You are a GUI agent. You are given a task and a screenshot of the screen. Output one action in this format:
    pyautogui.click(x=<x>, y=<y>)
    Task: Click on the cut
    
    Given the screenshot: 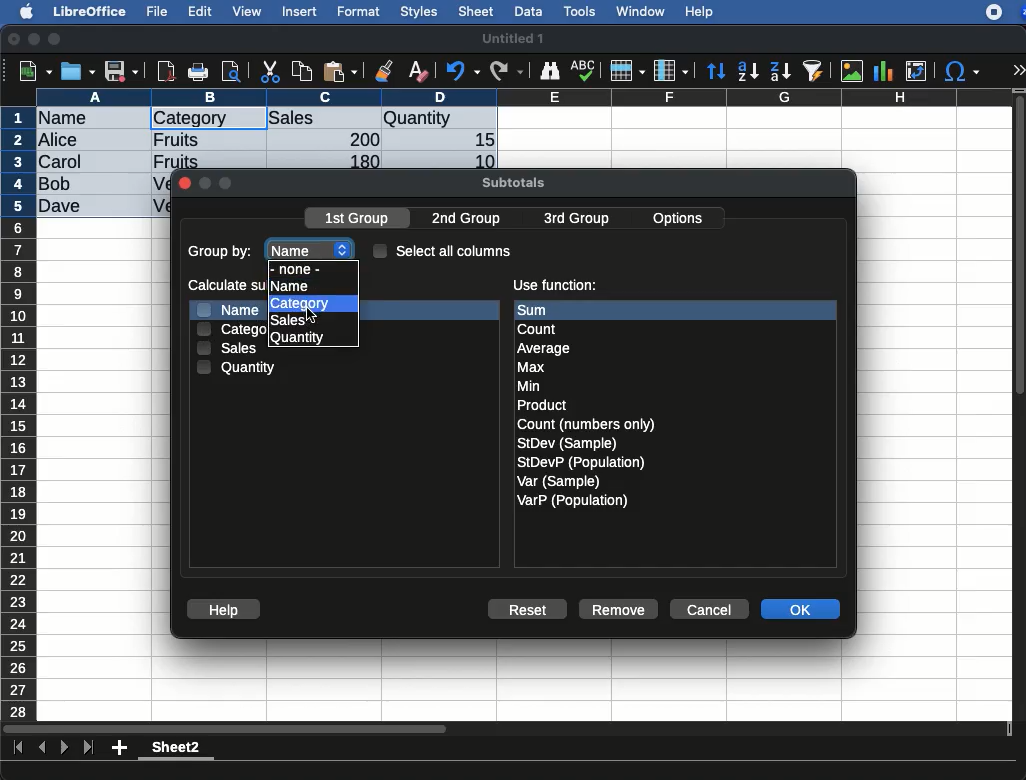 What is the action you would take?
    pyautogui.click(x=271, y=71)
    